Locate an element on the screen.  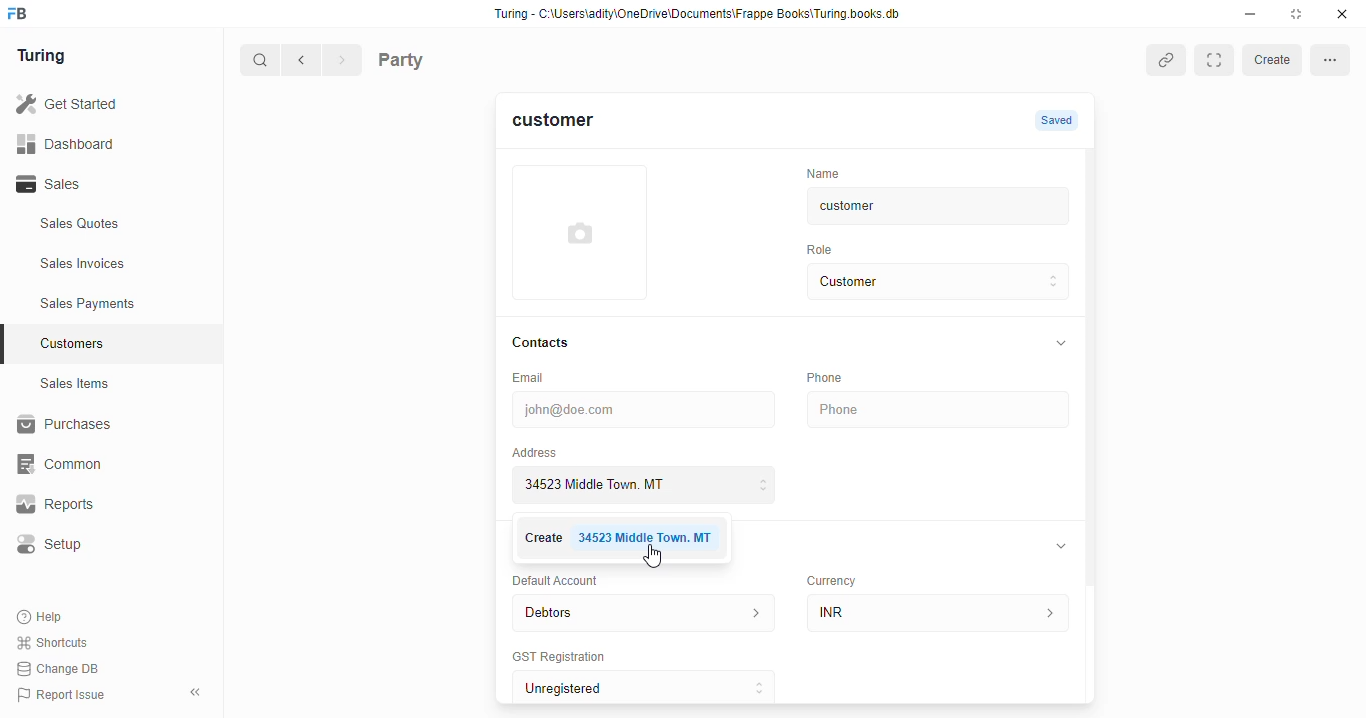
Address is located at coordinates (534, 450).